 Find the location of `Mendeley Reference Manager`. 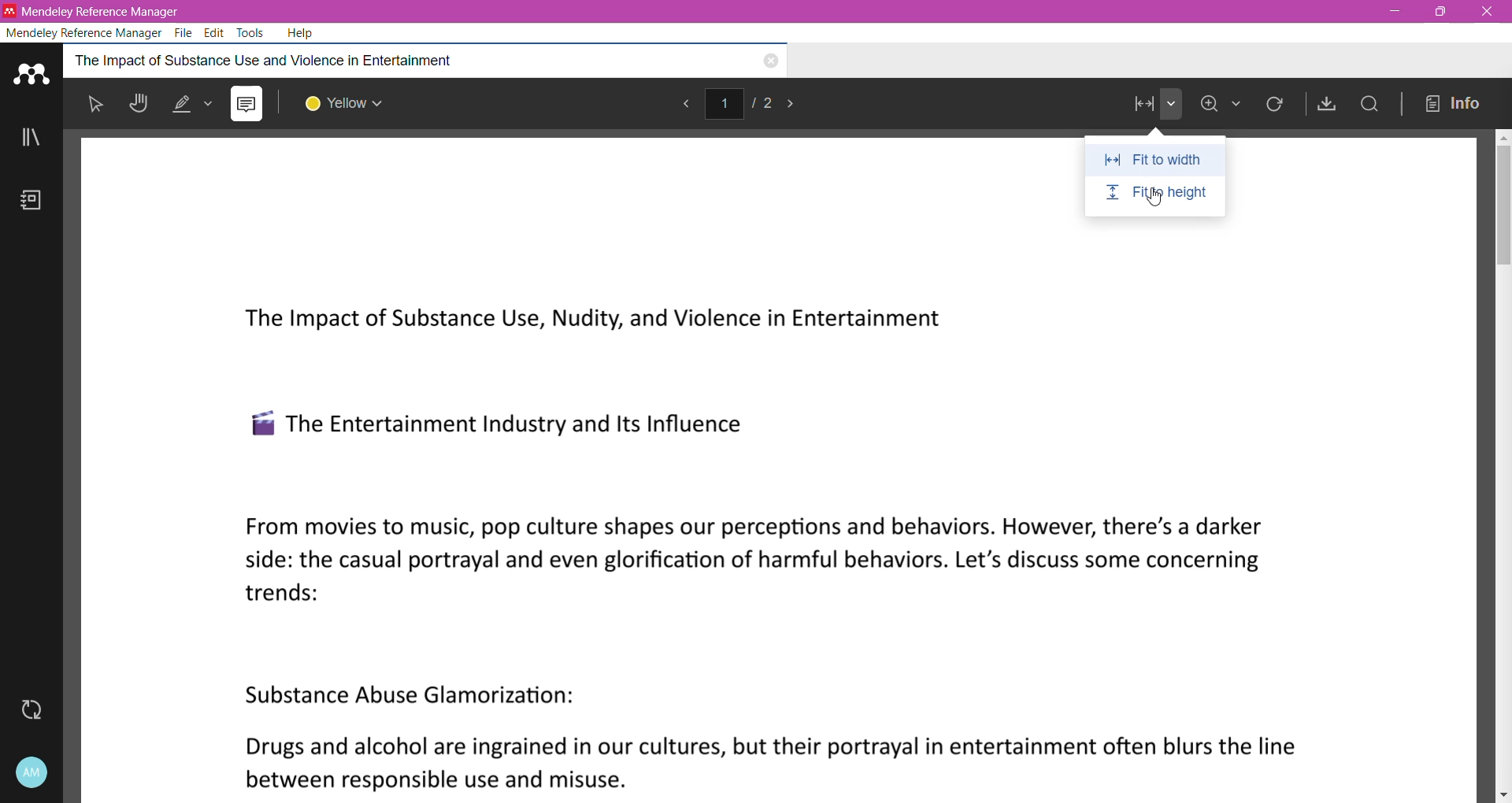

Mendeley Reference Manager is located at coordinates (85, 31).